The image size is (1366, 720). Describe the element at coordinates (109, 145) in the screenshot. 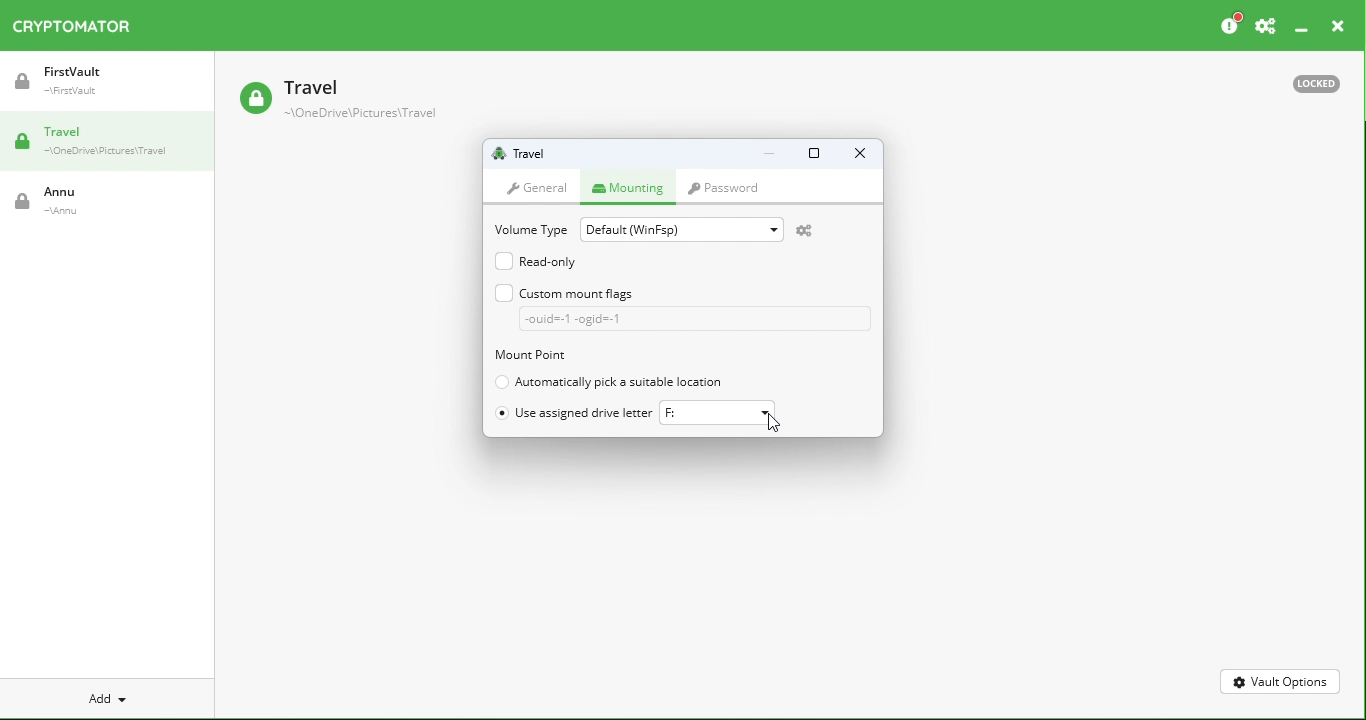

I see `Travel` at that location.